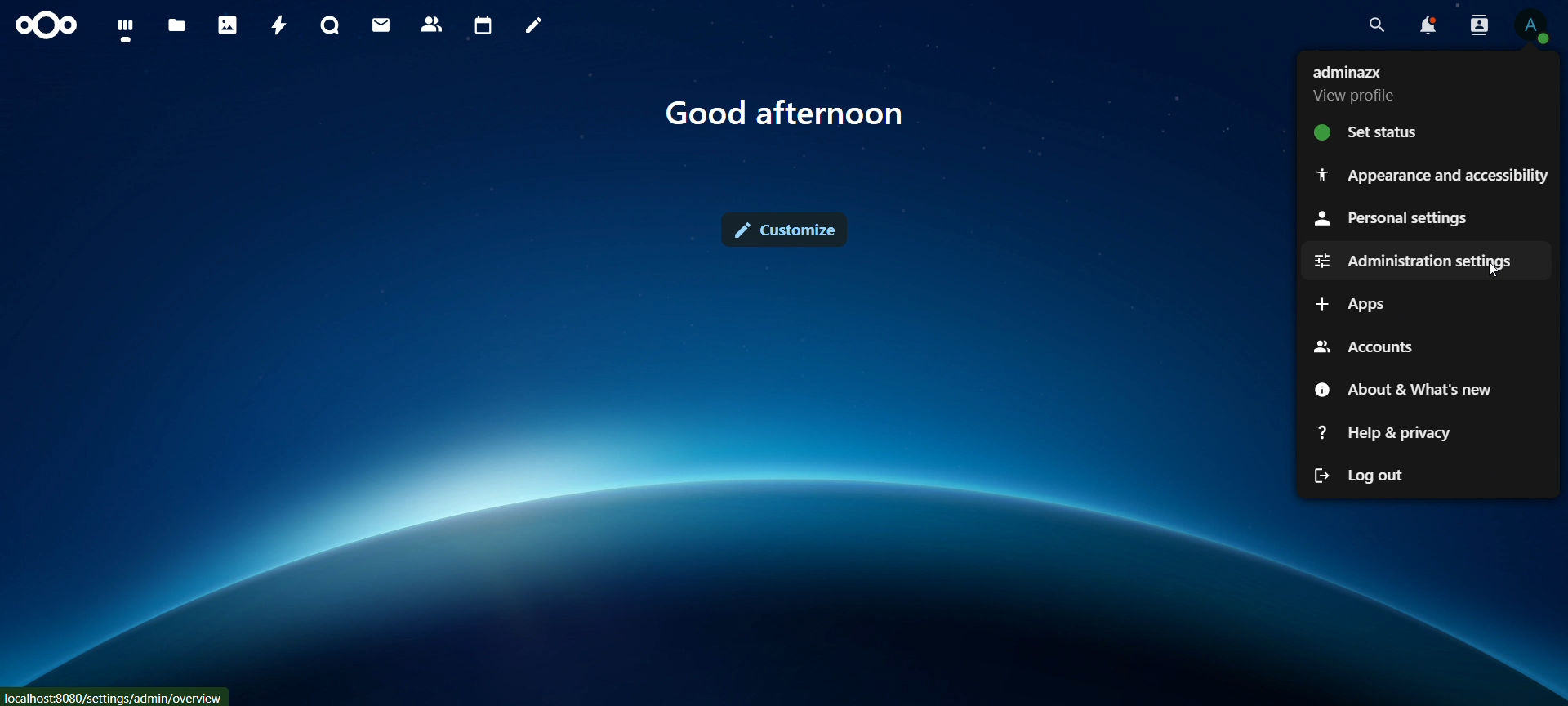 The height and width of the screenshot is (706, 1568). I want to click on customize, so click(787, 234).